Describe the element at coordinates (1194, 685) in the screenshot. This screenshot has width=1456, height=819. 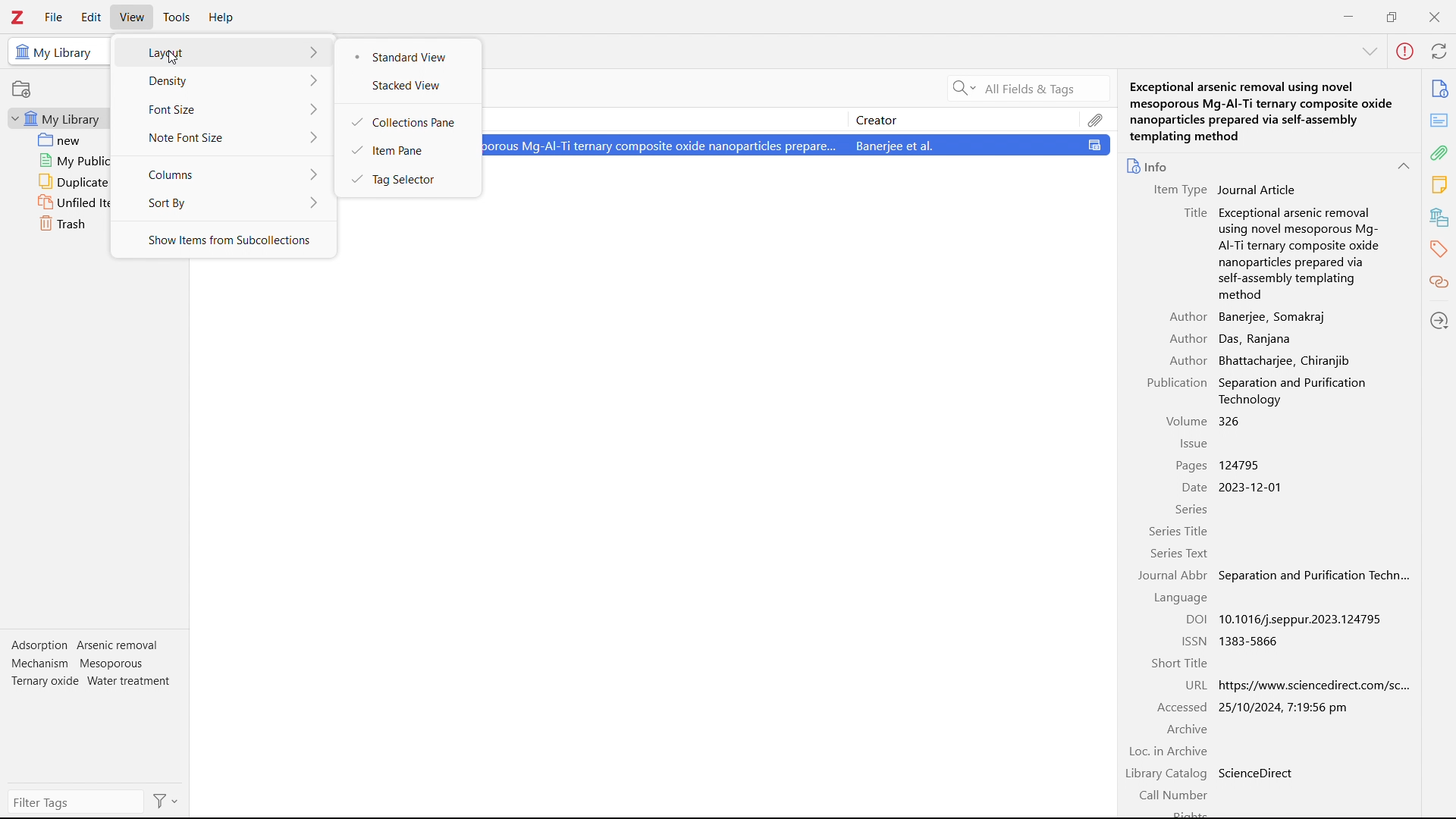
I see `URL` at that location.